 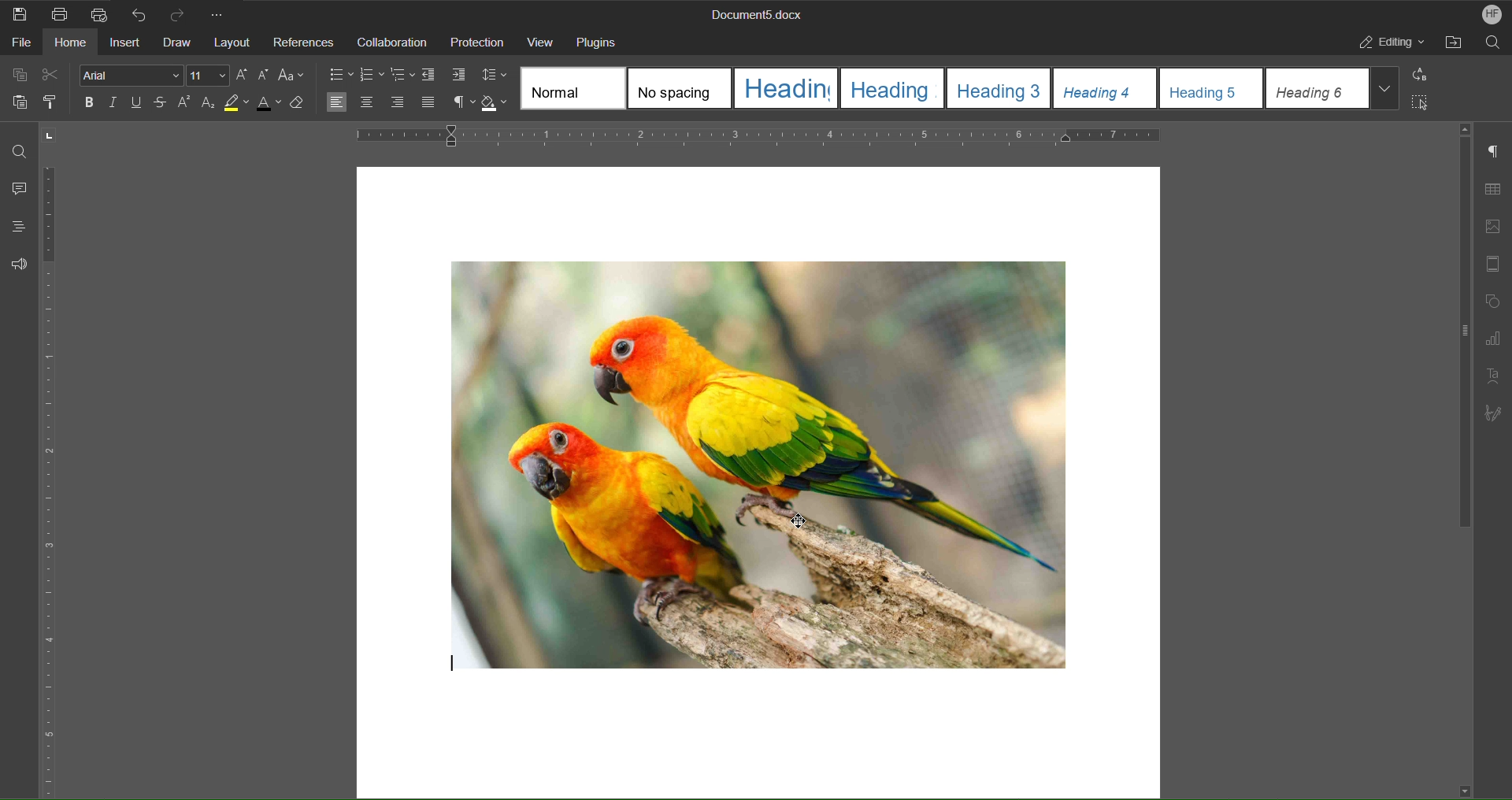 What do you see at coordinates (161, 105) in the screenshot?
I see `Strikethrough` at bounding box center [161, 105].